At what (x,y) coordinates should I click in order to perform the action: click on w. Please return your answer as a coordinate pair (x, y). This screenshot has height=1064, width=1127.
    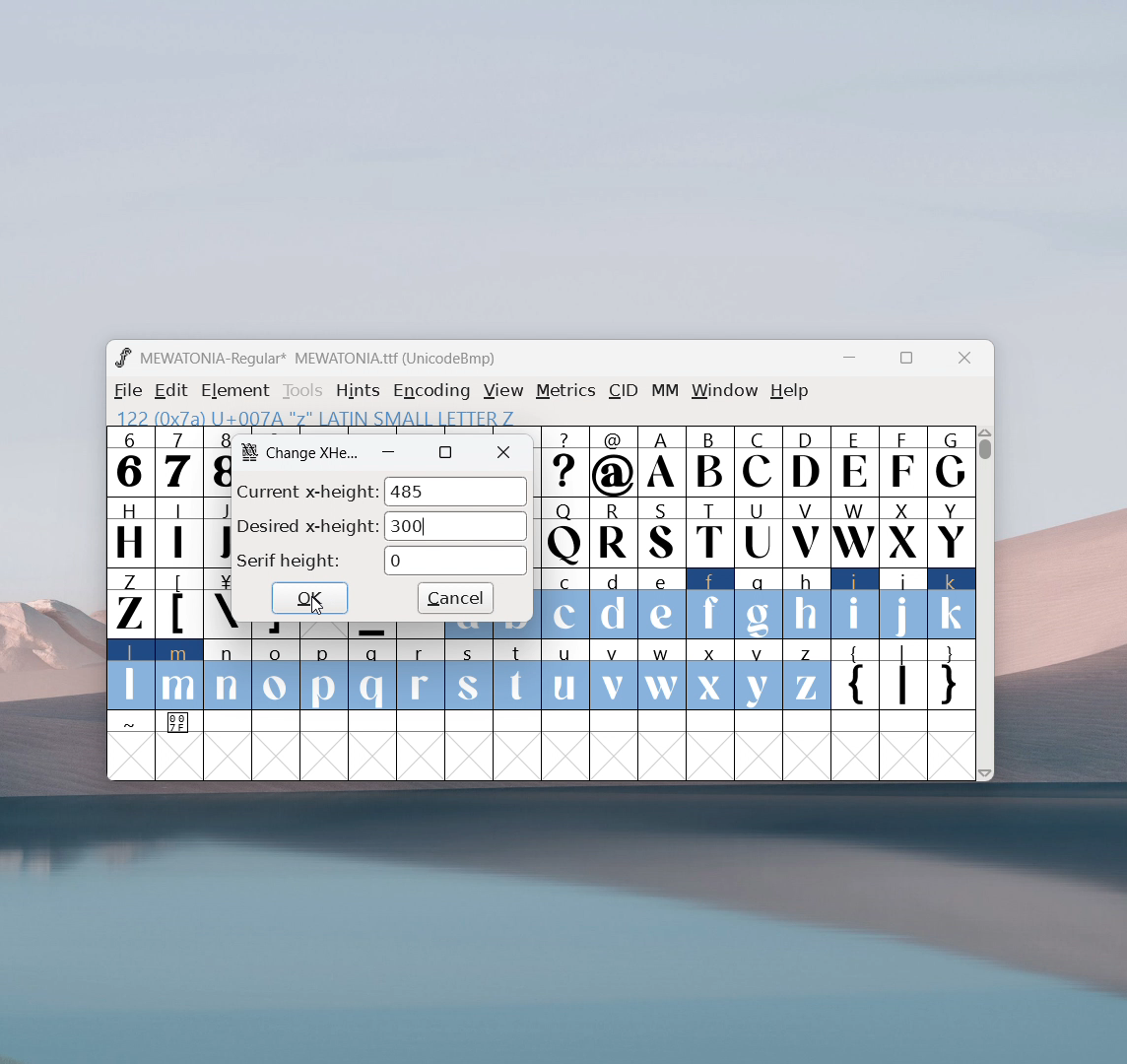
    Looking at the image, I should click on (662, 675).